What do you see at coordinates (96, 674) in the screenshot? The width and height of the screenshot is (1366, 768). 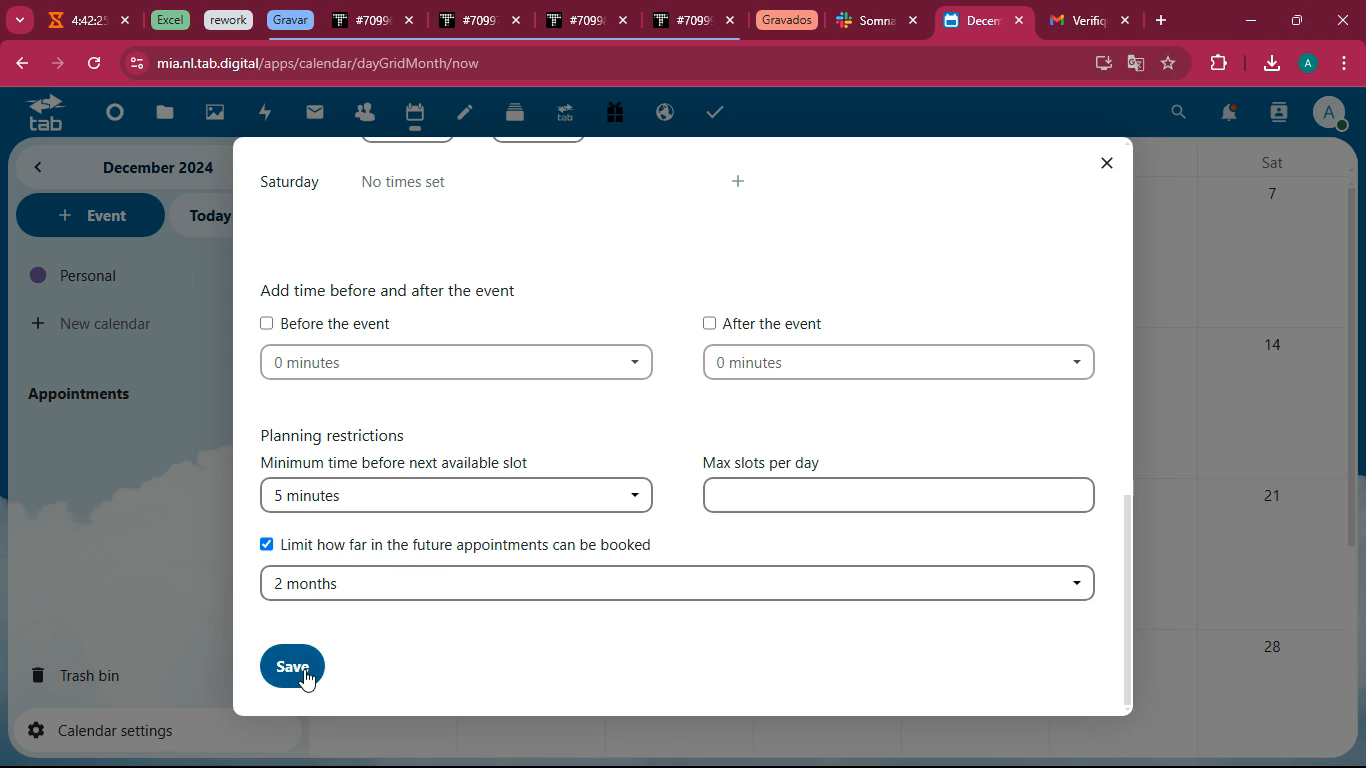 I see `trash bin` at bounding box center [96, 674].